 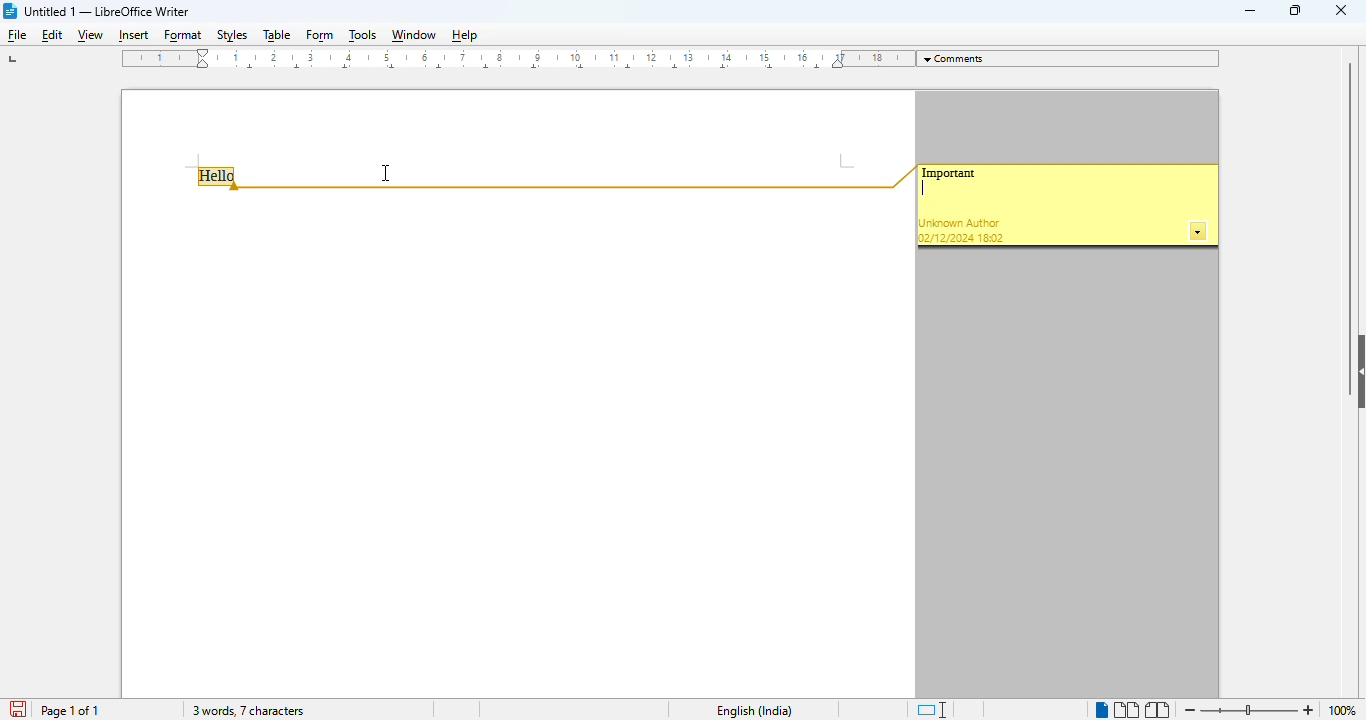 What do you see at coordinates (515, 126) in the screenshot?
I see `workspace` at bounding box center [515, 126].